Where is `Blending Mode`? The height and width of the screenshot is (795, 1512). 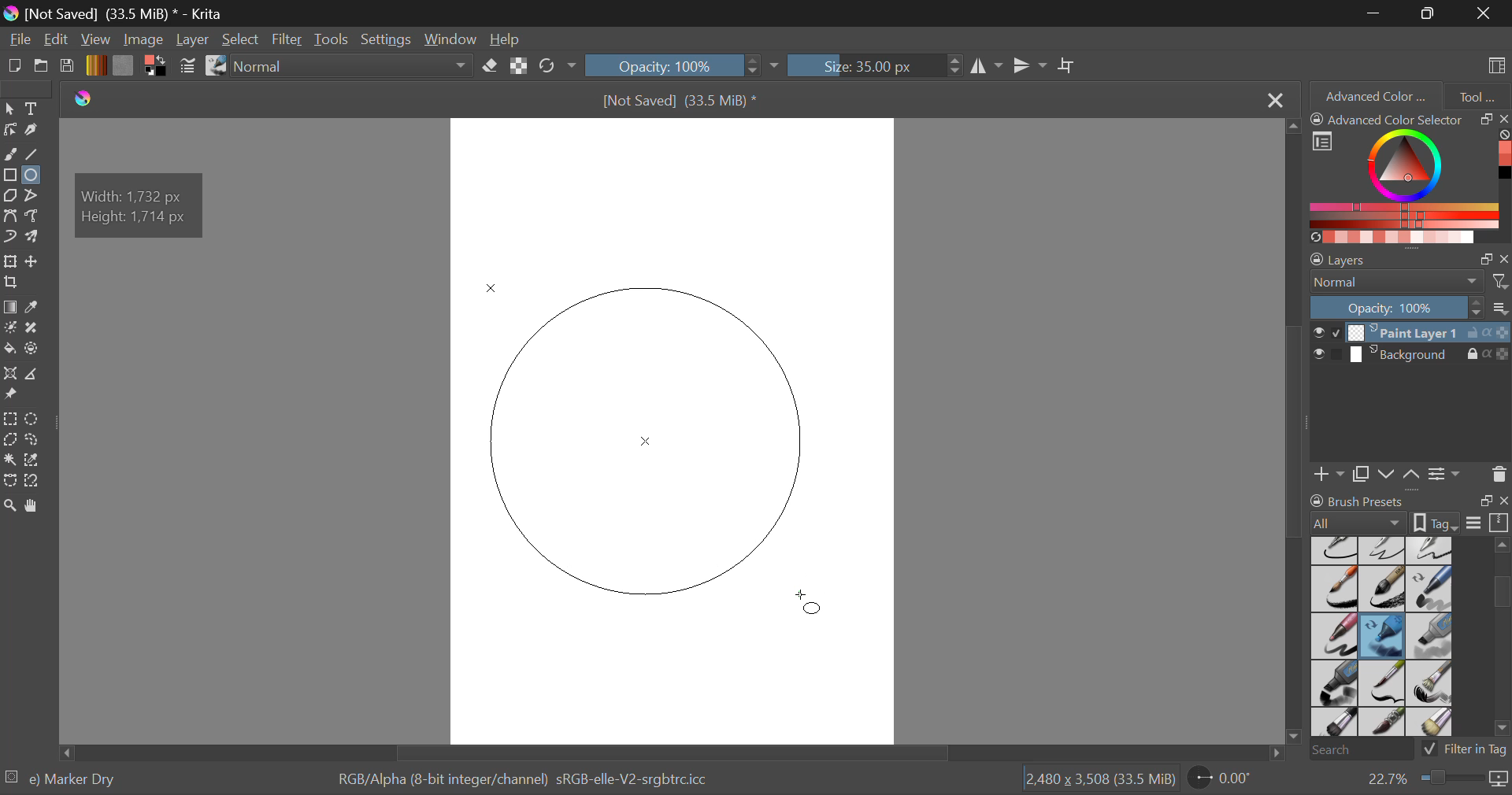
Blending Mode is located at coordinates (1410, 282).